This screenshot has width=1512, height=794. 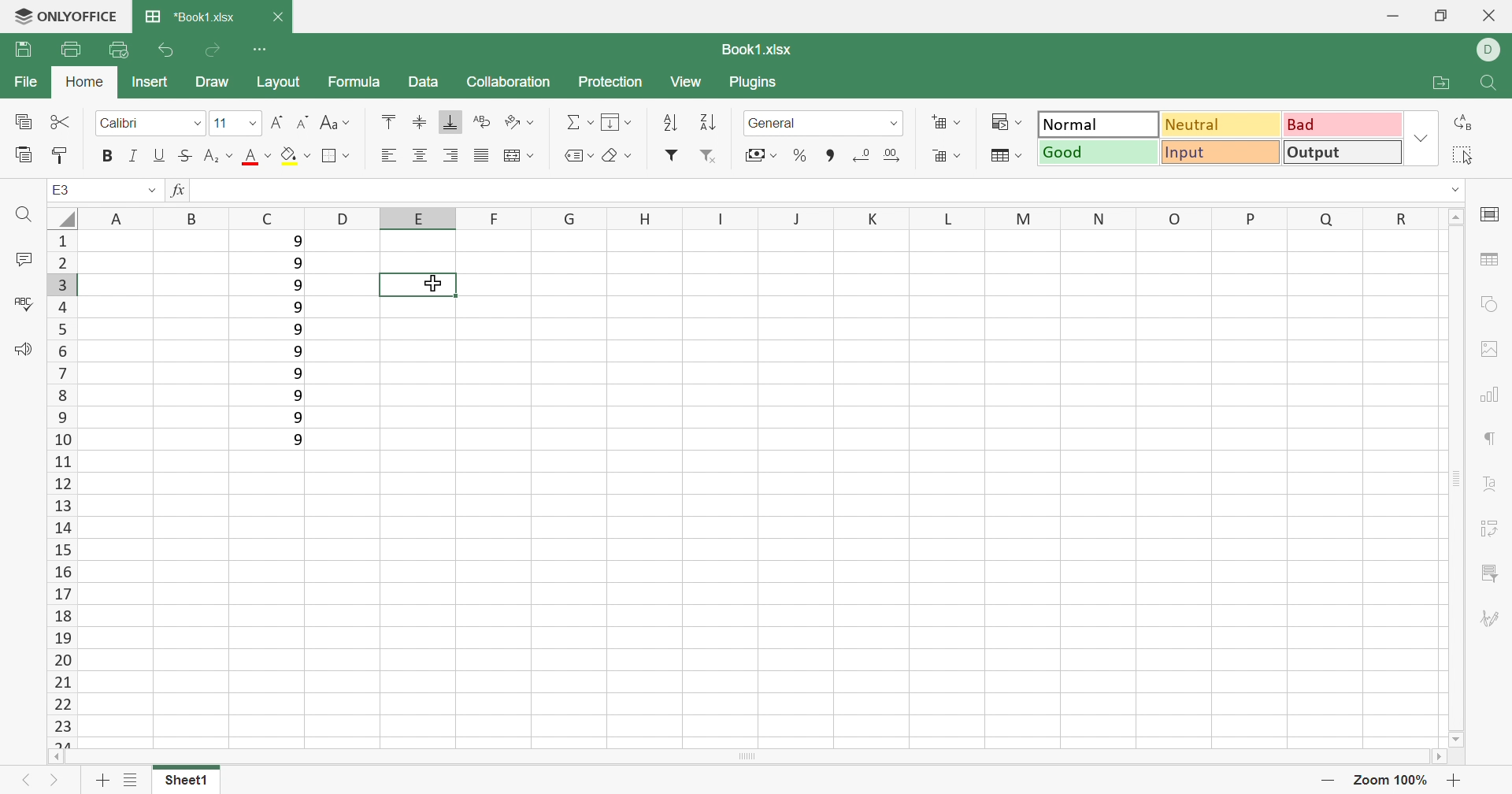 What do you see at coordinates (615, 155) in the screenshot?
I see `                                                                                                                                                                                                                                                                                                                                                                                                                                                                                                                                                                                    ` at bounding box center [615, 155].